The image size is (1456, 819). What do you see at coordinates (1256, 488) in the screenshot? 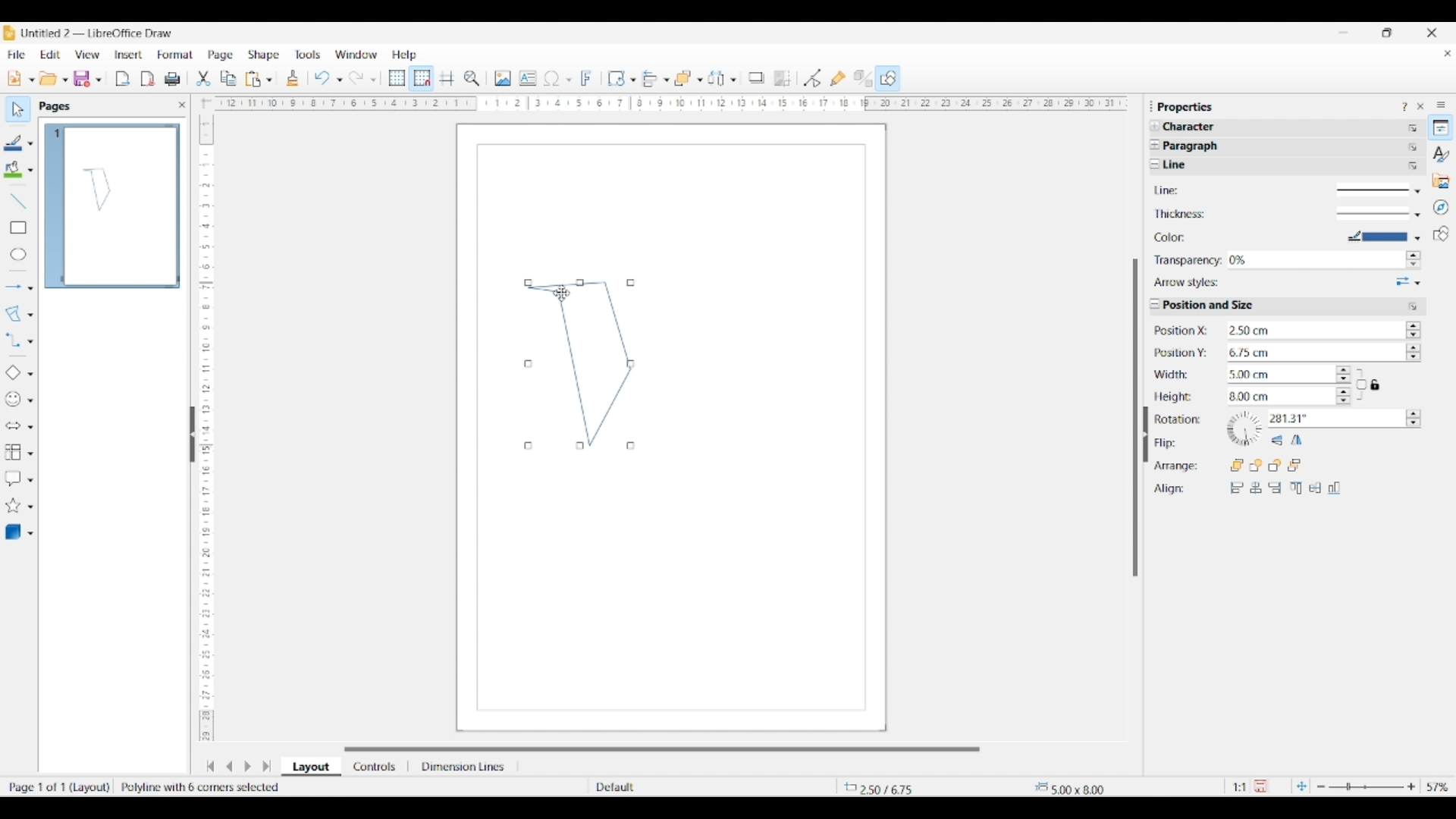
I see `Align centered` at bounding box center [1256, 488].